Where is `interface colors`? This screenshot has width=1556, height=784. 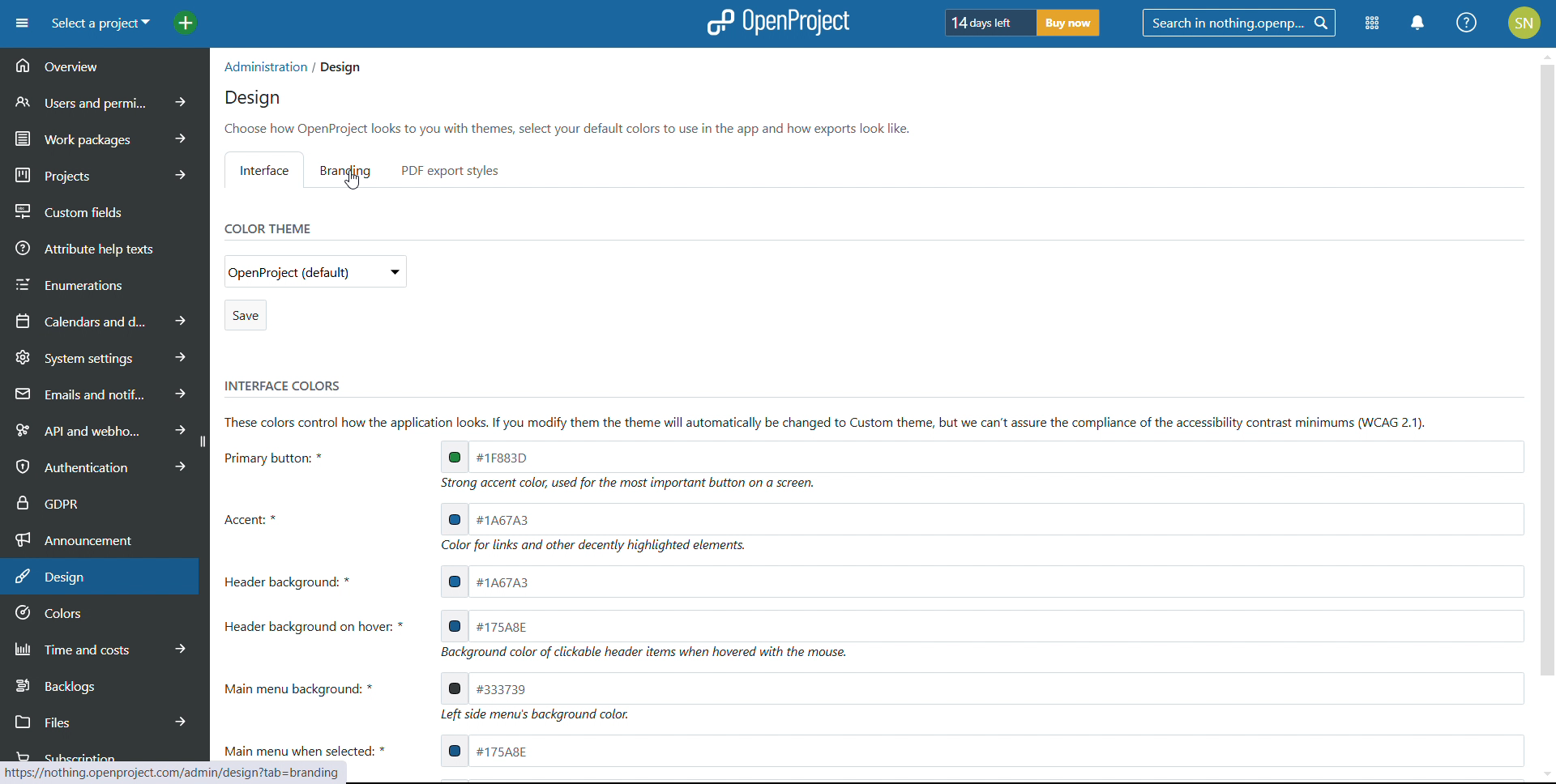 interface colors is located at coordinates (282, 386).